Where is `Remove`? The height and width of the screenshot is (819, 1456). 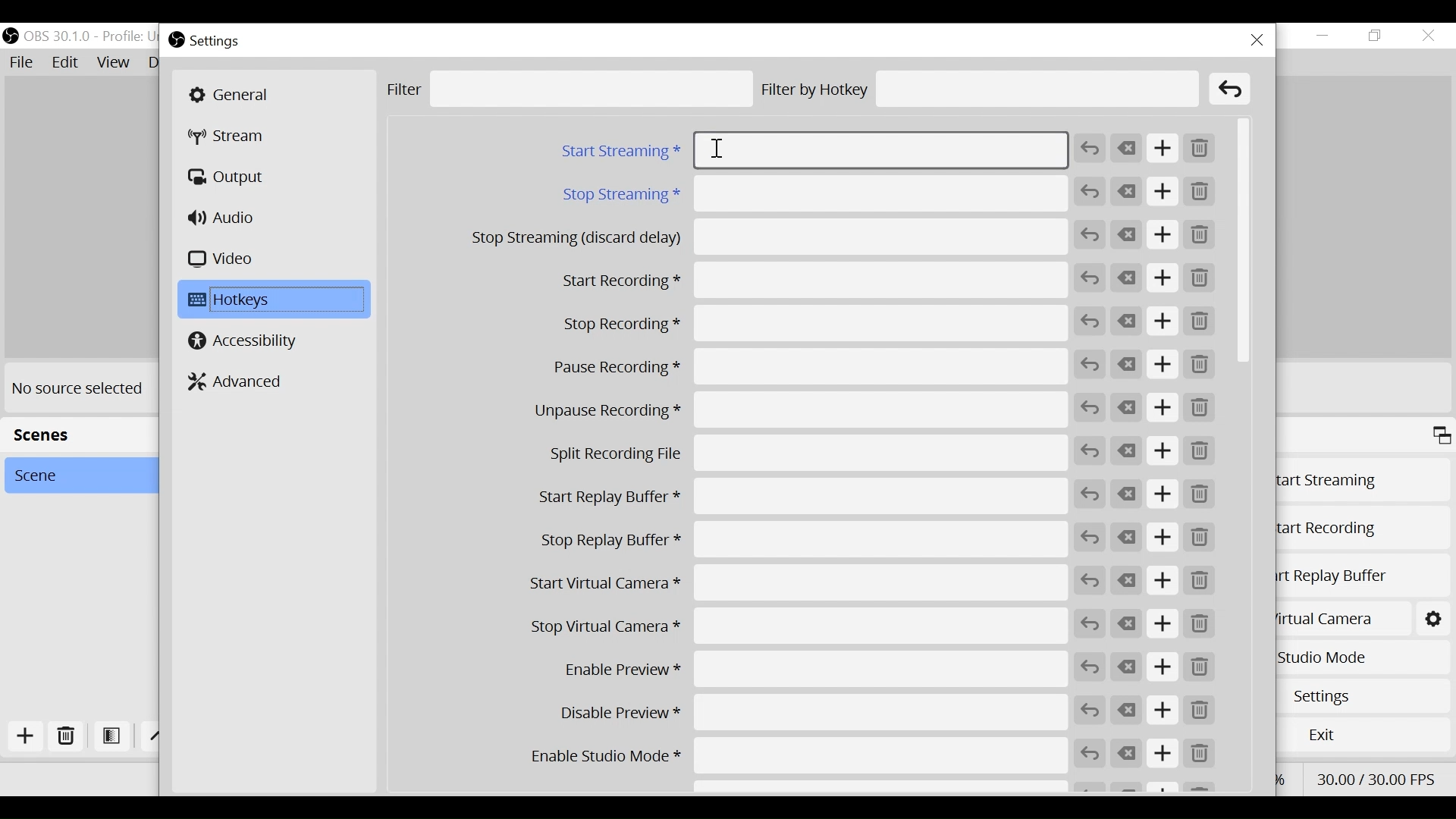 Remove is located at coordinates (1200, 670).